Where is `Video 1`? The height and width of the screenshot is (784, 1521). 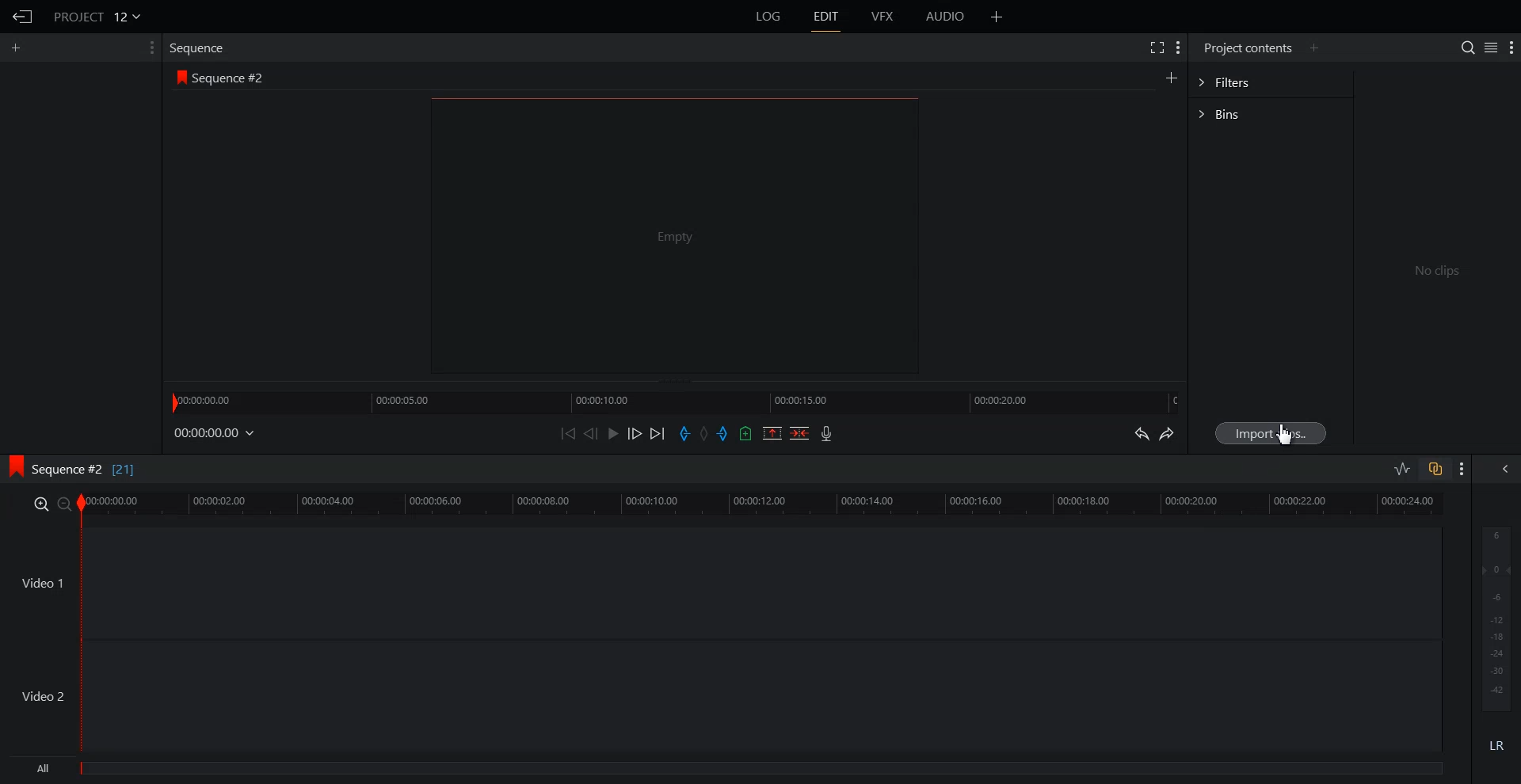
Video 1 is located at coordinates (726, 583).